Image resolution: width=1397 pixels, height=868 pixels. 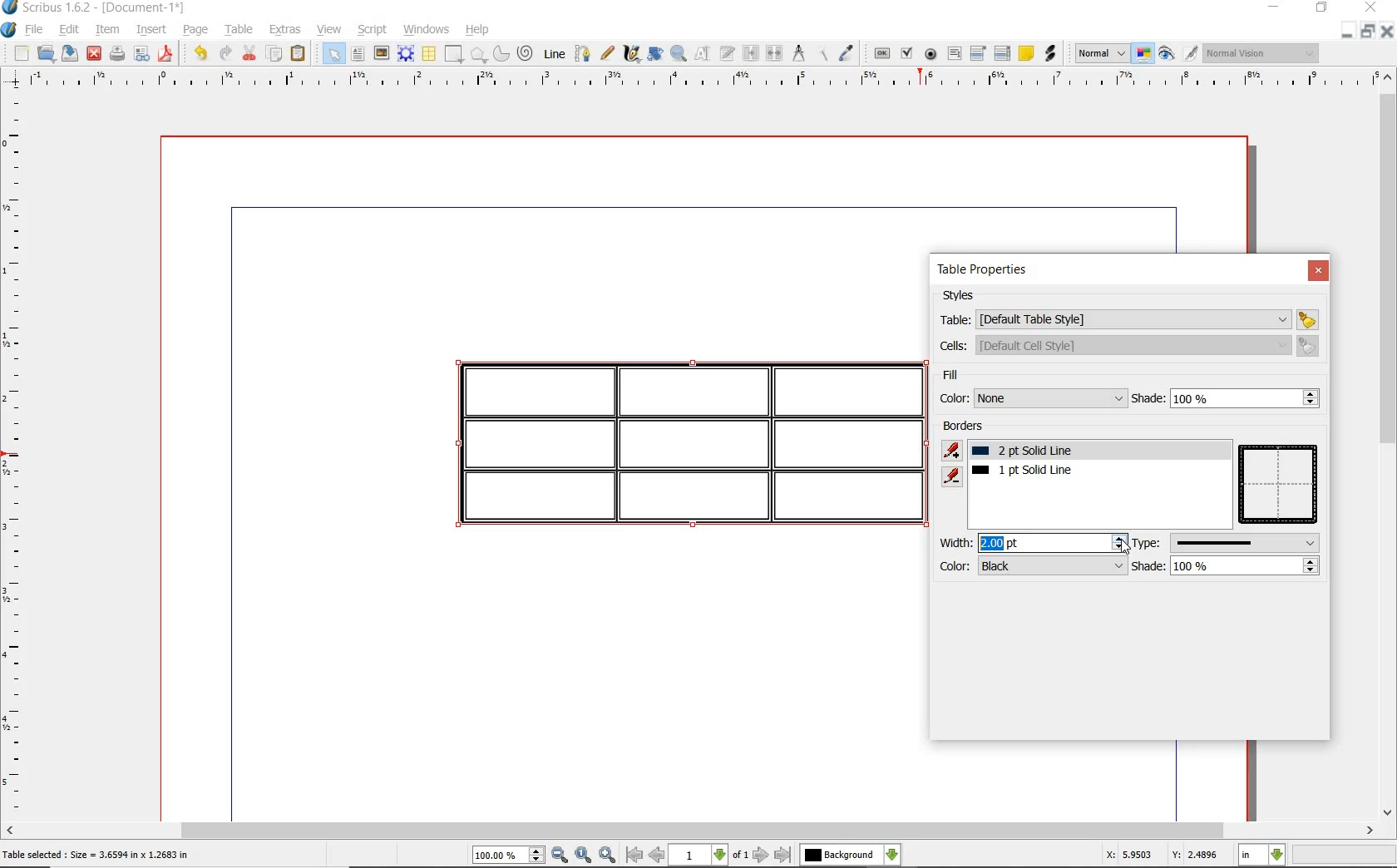 I want to click on go to last page, so click(x=784, y=854).